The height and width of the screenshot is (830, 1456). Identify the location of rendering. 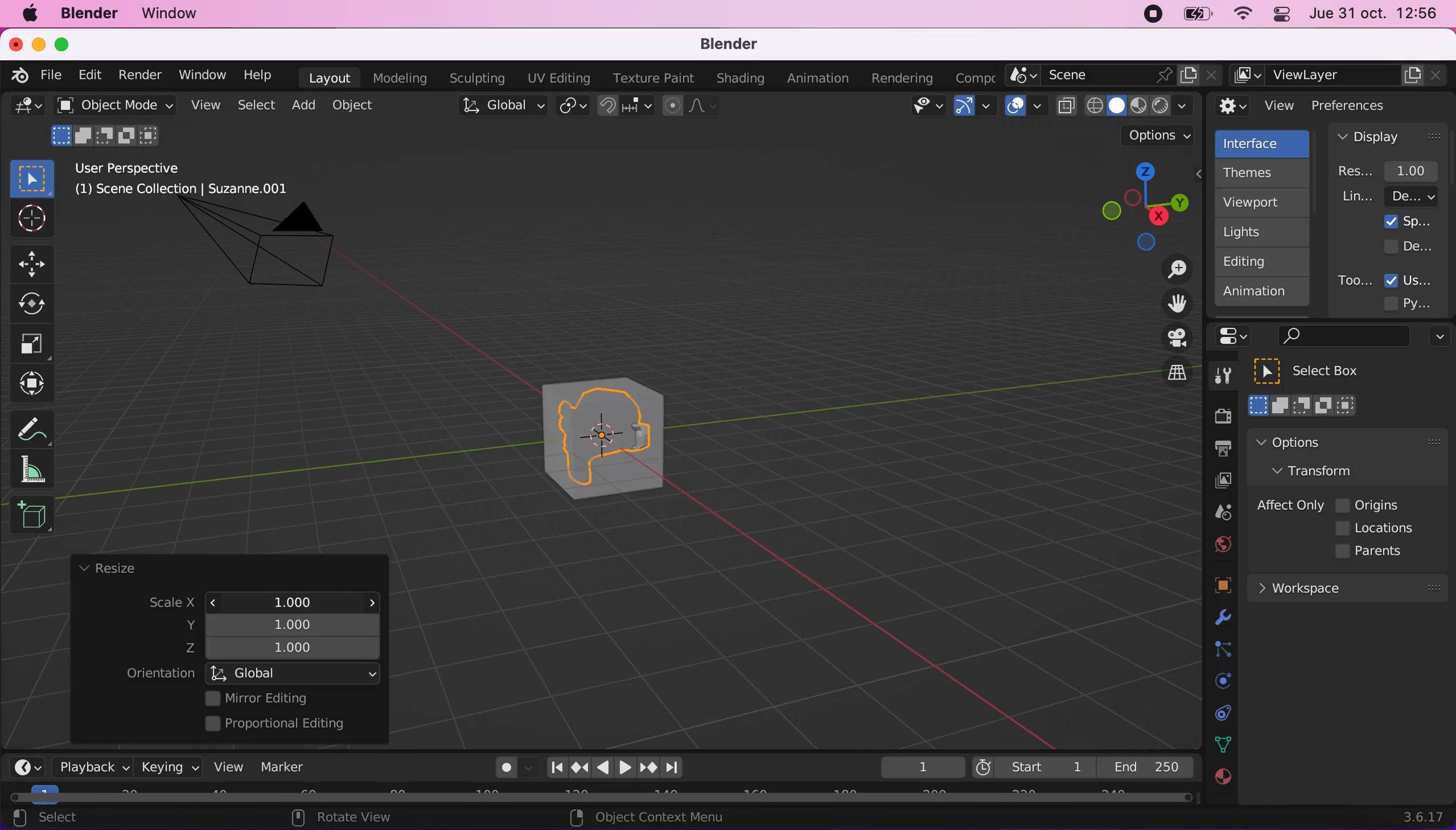
(903, 79).